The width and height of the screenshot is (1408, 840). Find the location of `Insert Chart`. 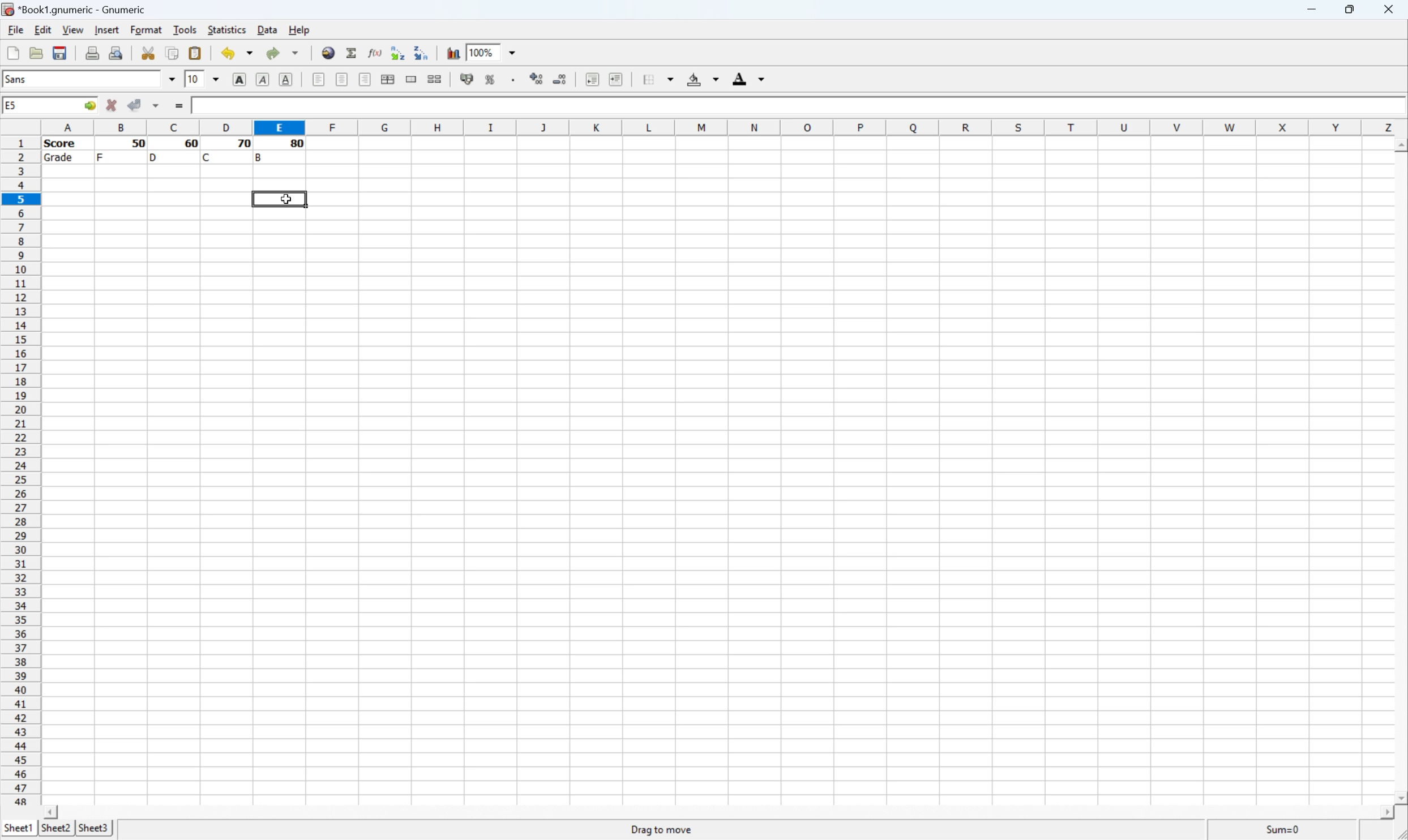

Insert Chart is located at coordinates (452, 51).